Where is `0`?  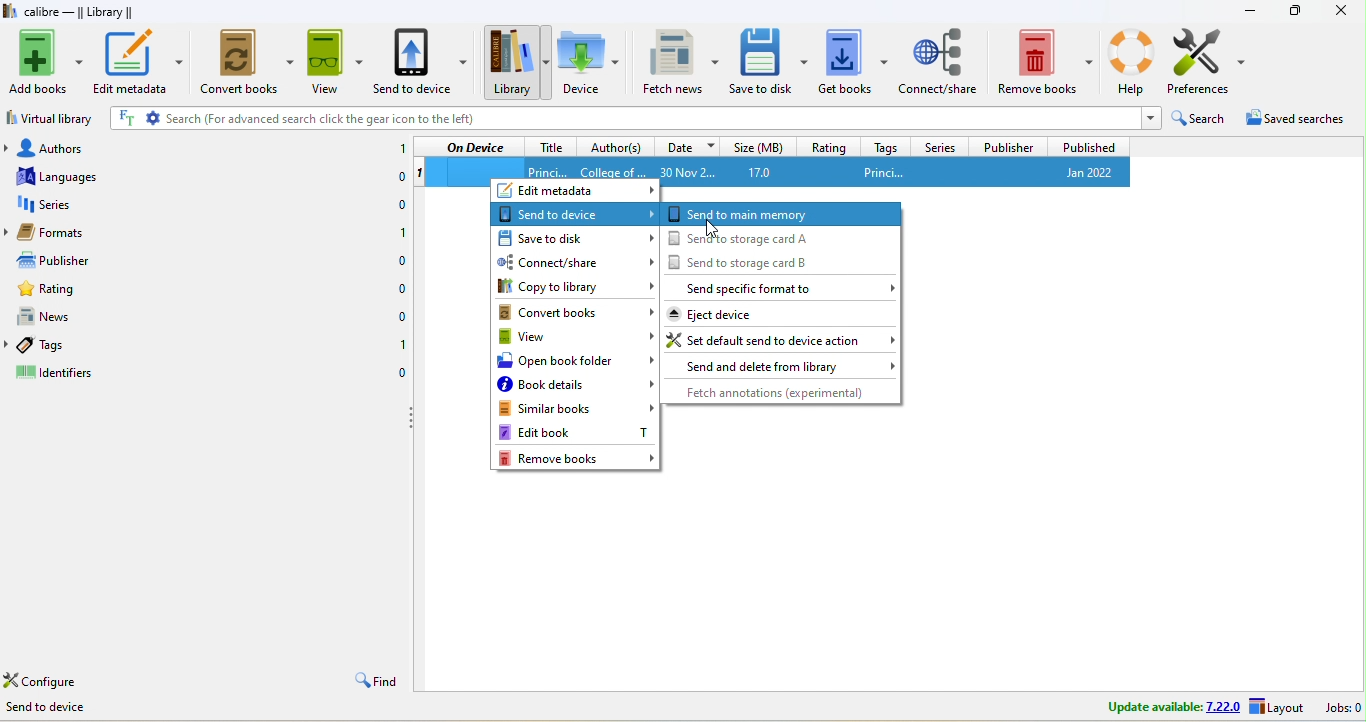 0 is located at coordinates (394, 179).